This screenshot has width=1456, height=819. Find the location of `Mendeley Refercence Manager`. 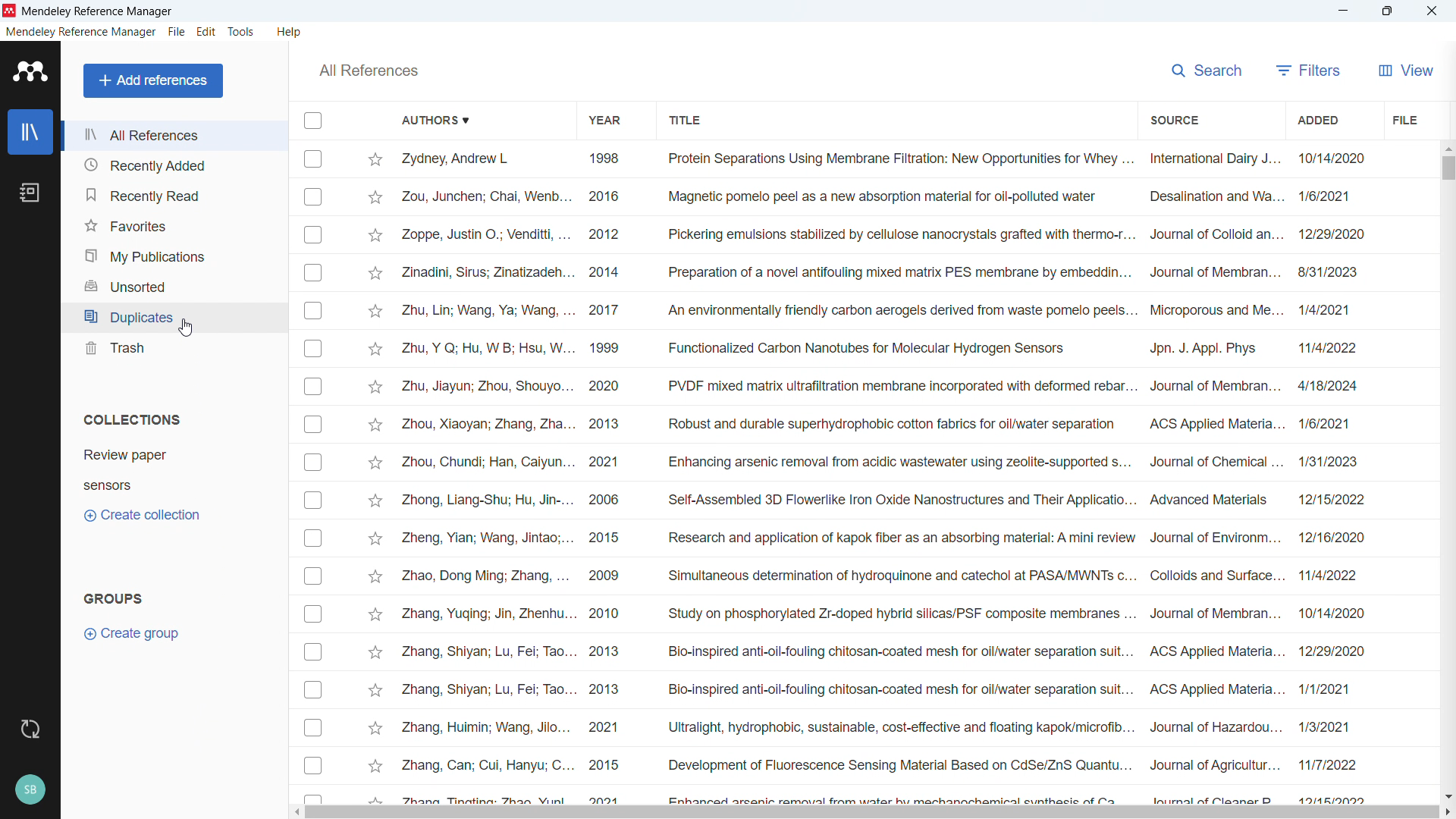

Mendeley Refercence Manager is located at coordinates (98, 11).